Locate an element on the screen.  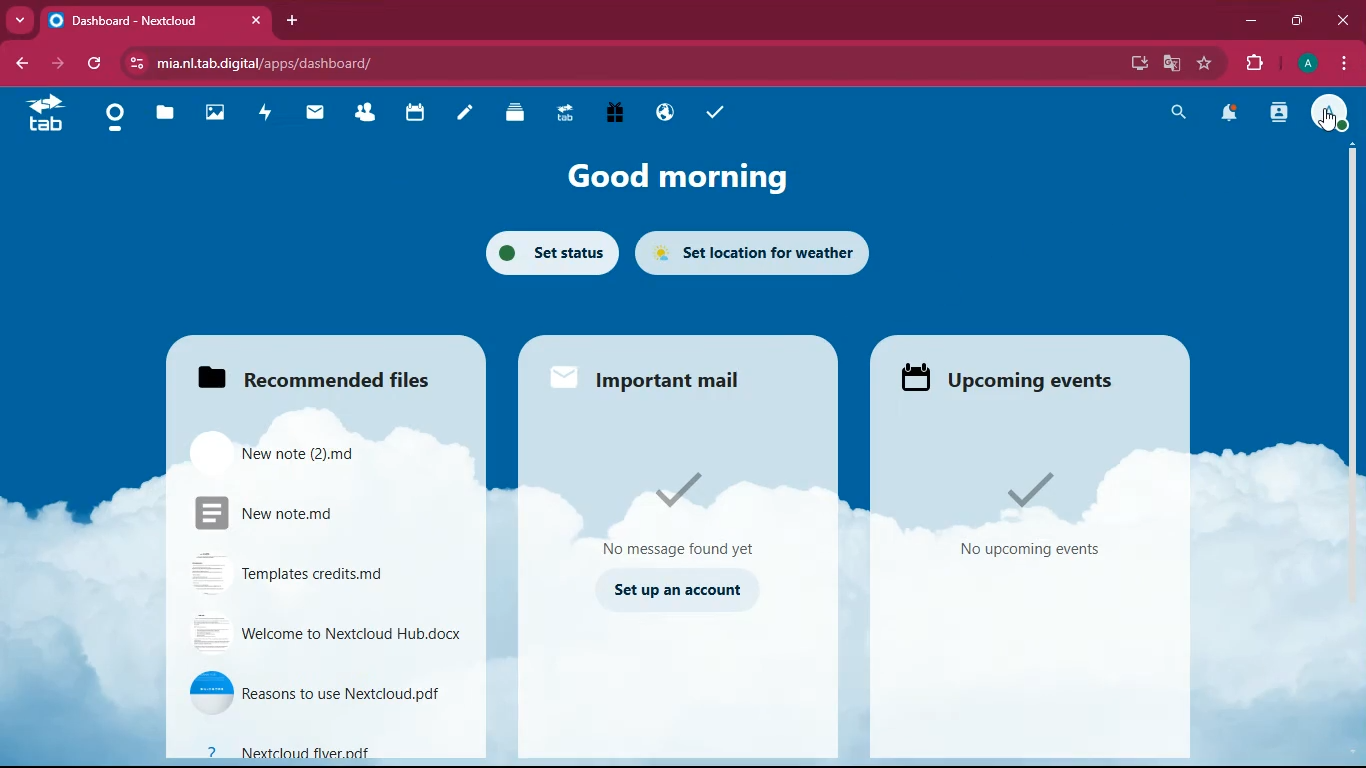
mail is located at coordinates (320, 115).